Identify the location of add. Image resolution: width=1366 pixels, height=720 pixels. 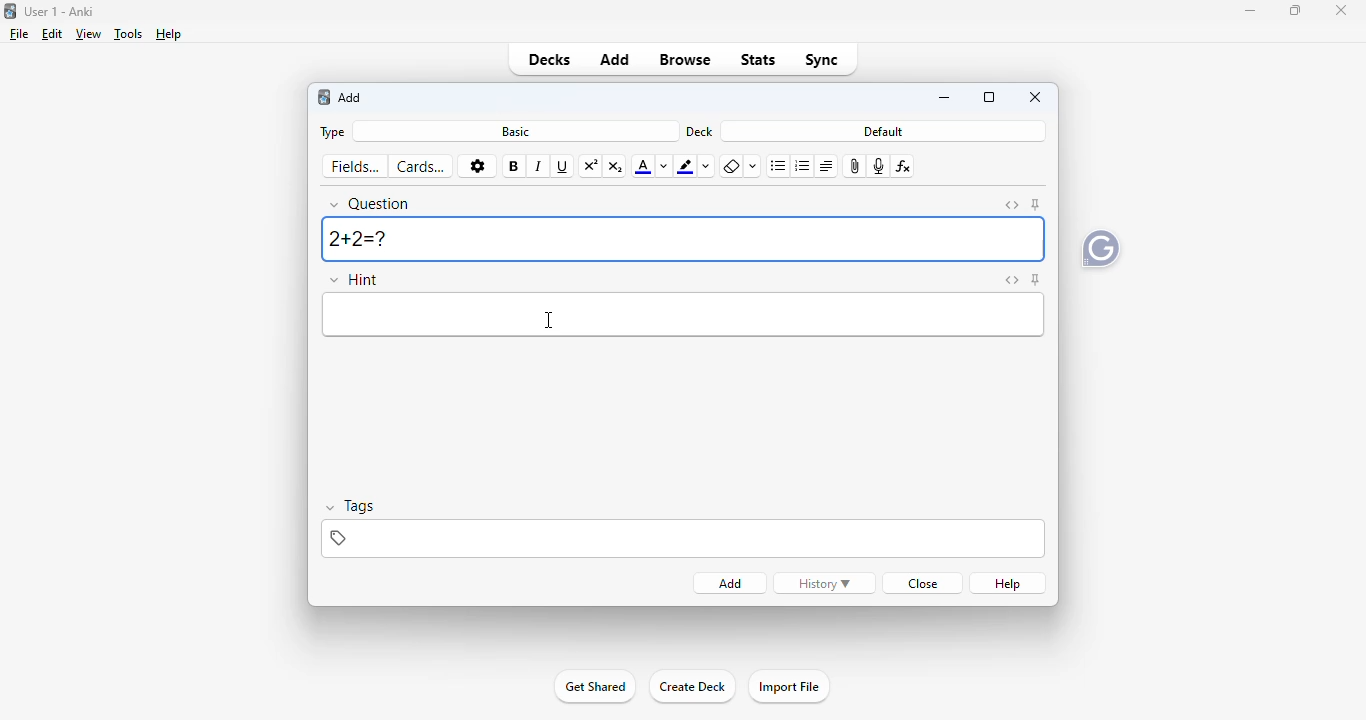
(349, 97).